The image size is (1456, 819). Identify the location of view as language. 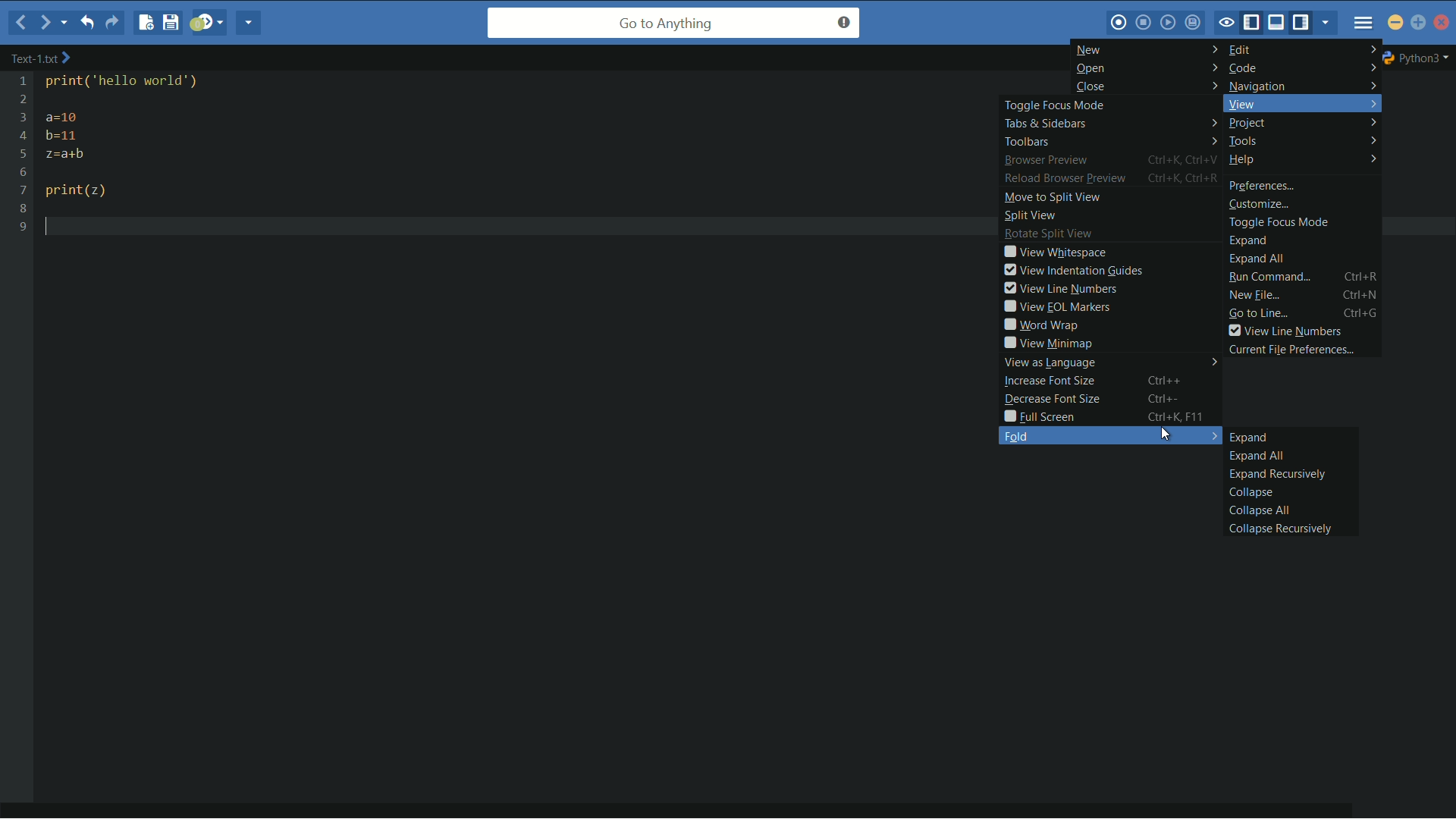
(1107, 362).